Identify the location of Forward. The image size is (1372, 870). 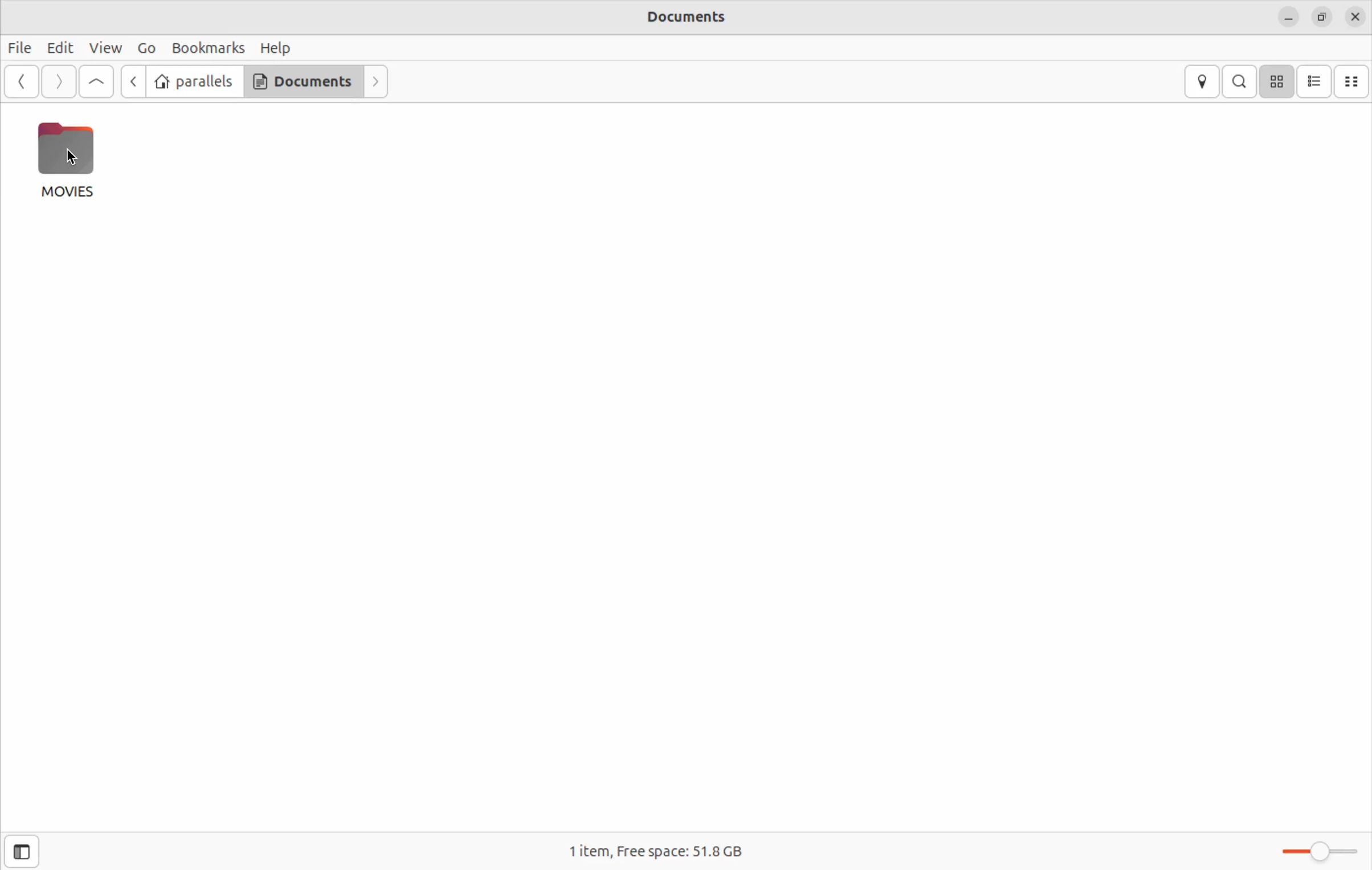
(59, 81).